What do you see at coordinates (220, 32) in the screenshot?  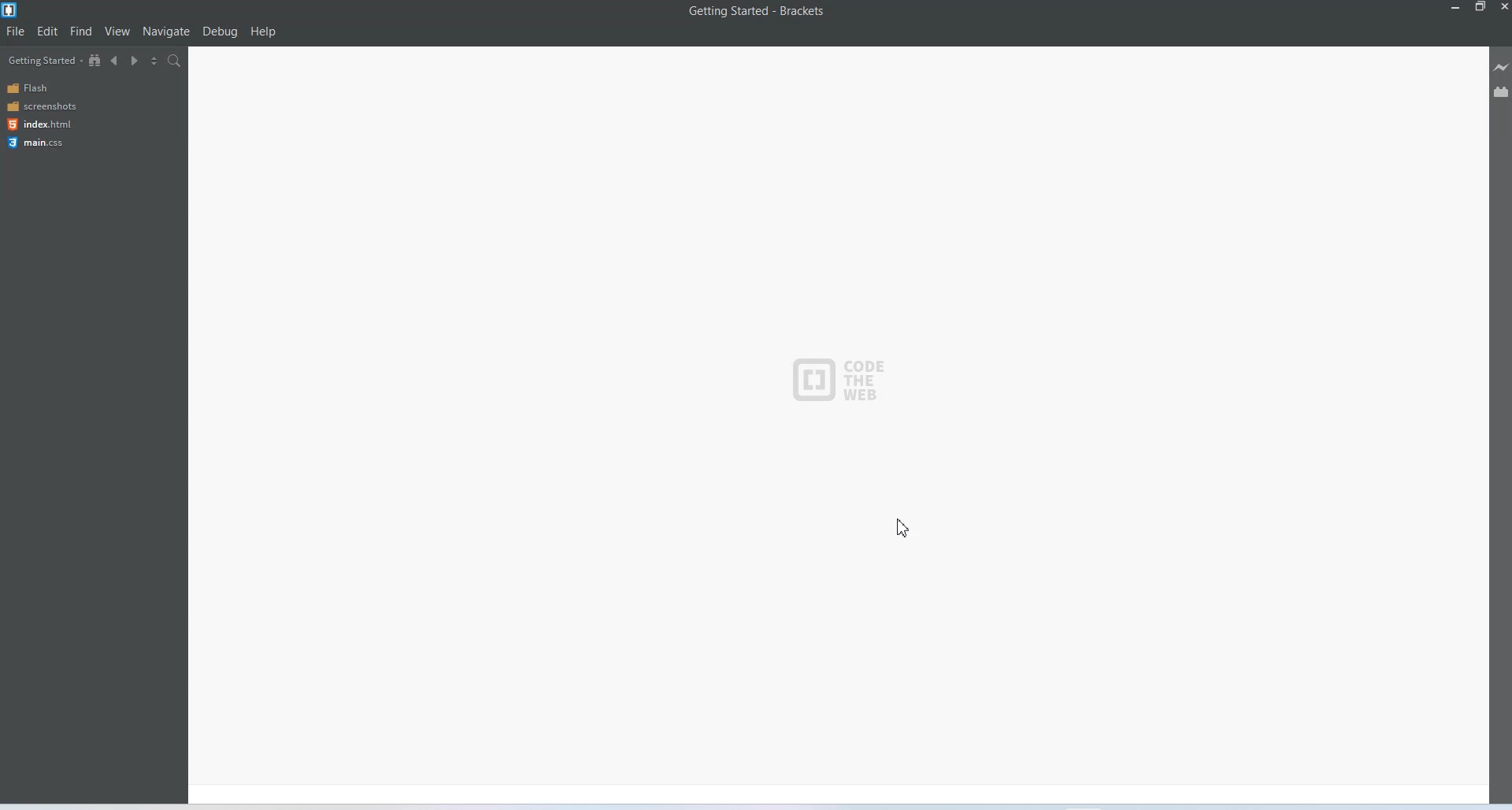 I see `Debug` at bounding box center [220, 32].